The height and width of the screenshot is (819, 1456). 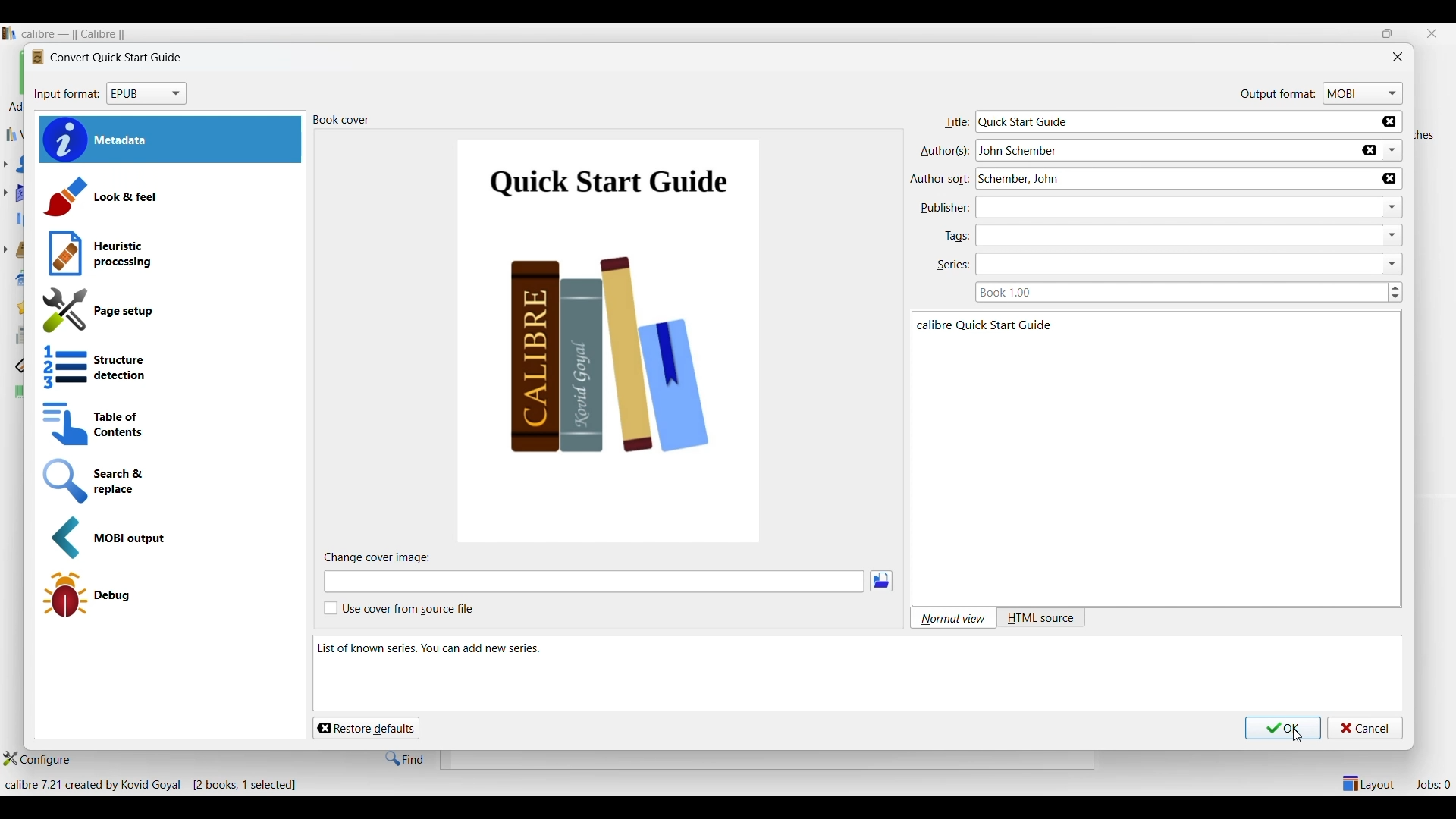 What do you see at coordinates (399, 608) in the screenshot?
I see `Toggle cover from source file` at bounding box center [399, 608].